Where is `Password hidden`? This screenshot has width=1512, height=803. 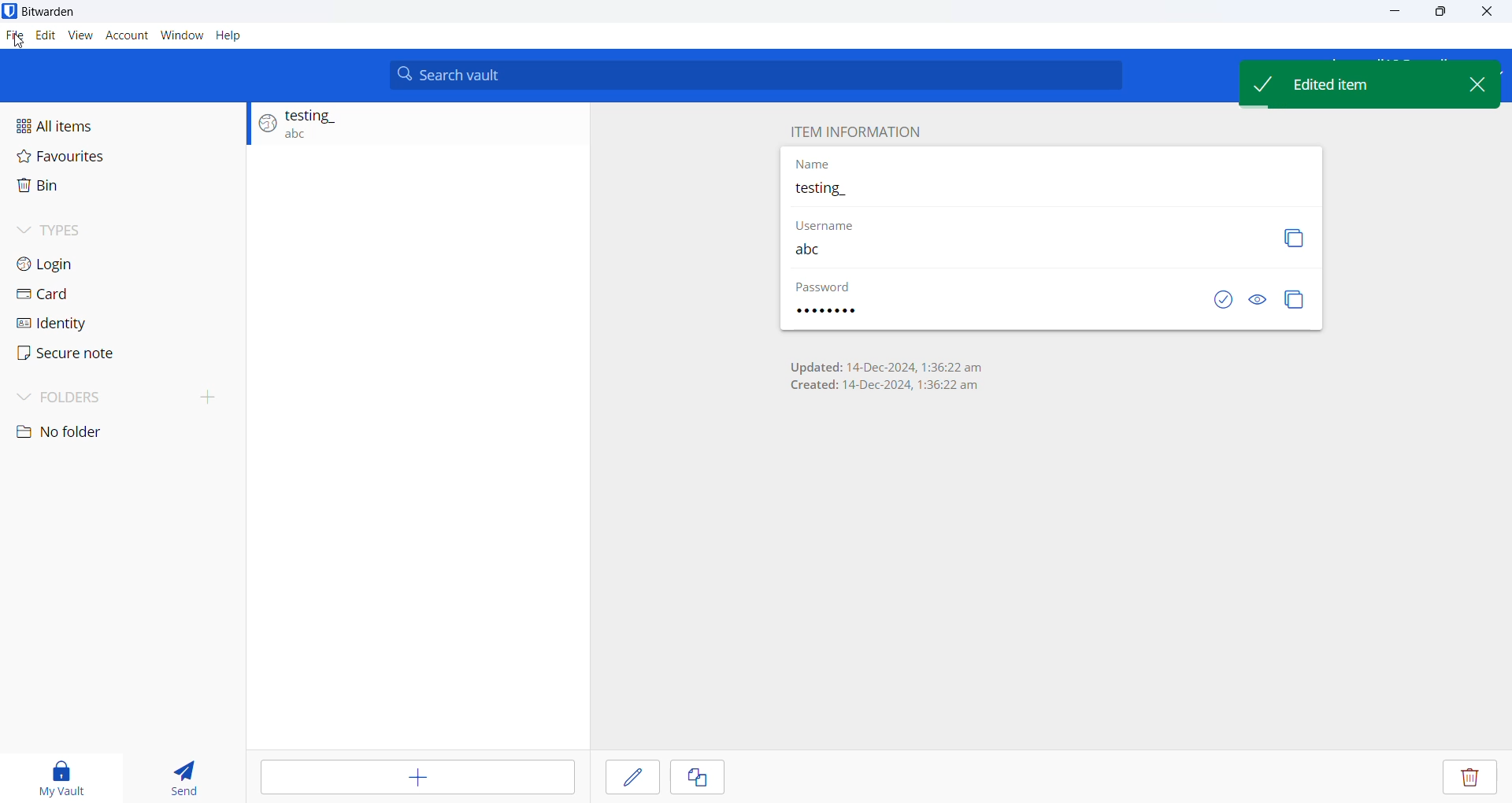
Password hidden is located at coordinates (825, 288).